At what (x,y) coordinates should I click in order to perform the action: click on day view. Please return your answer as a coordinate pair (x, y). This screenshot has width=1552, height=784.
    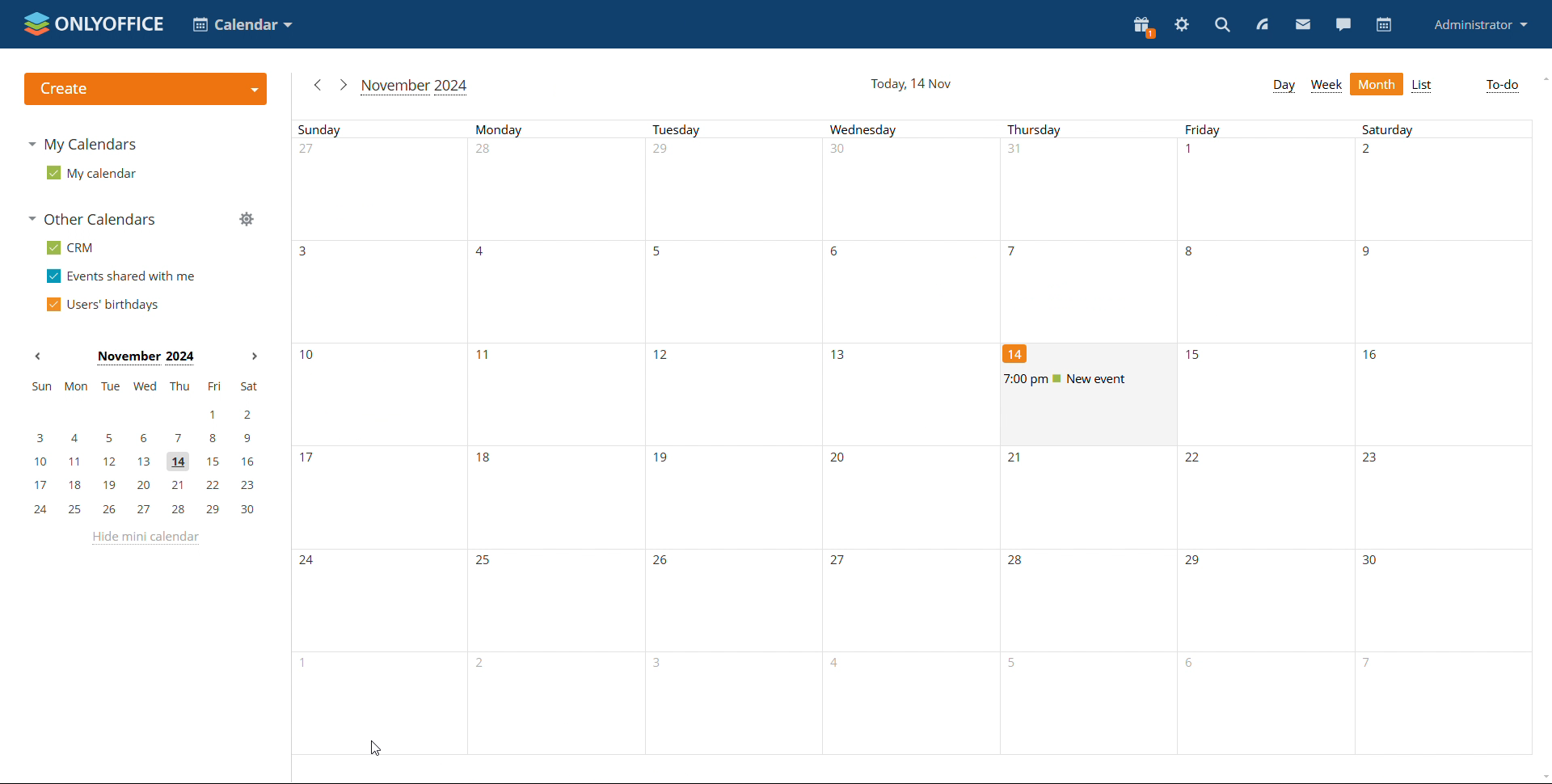
    Looking at the image, I should click on (1284, 86).